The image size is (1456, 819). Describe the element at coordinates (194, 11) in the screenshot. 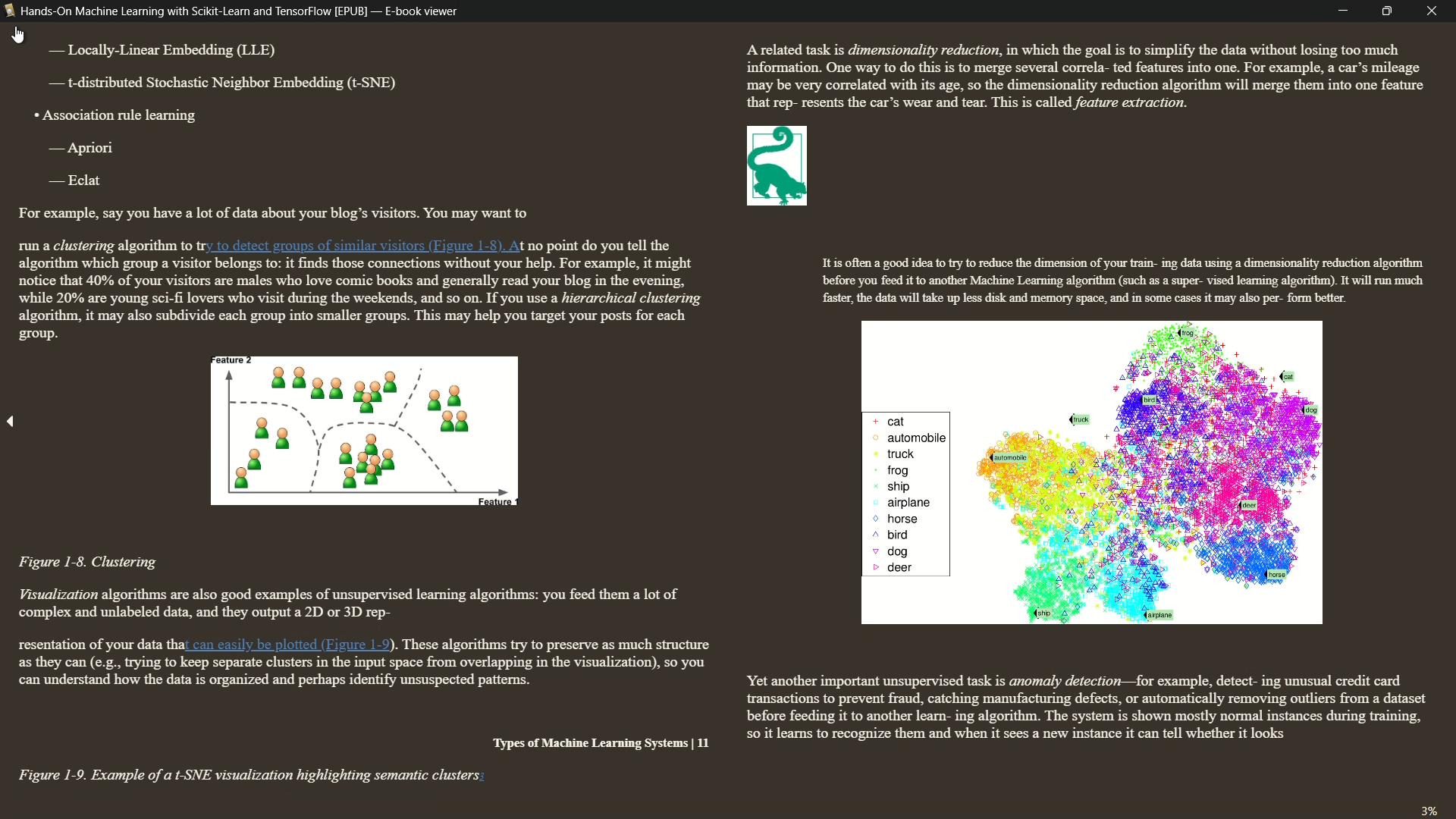

I see `book name` at that location.